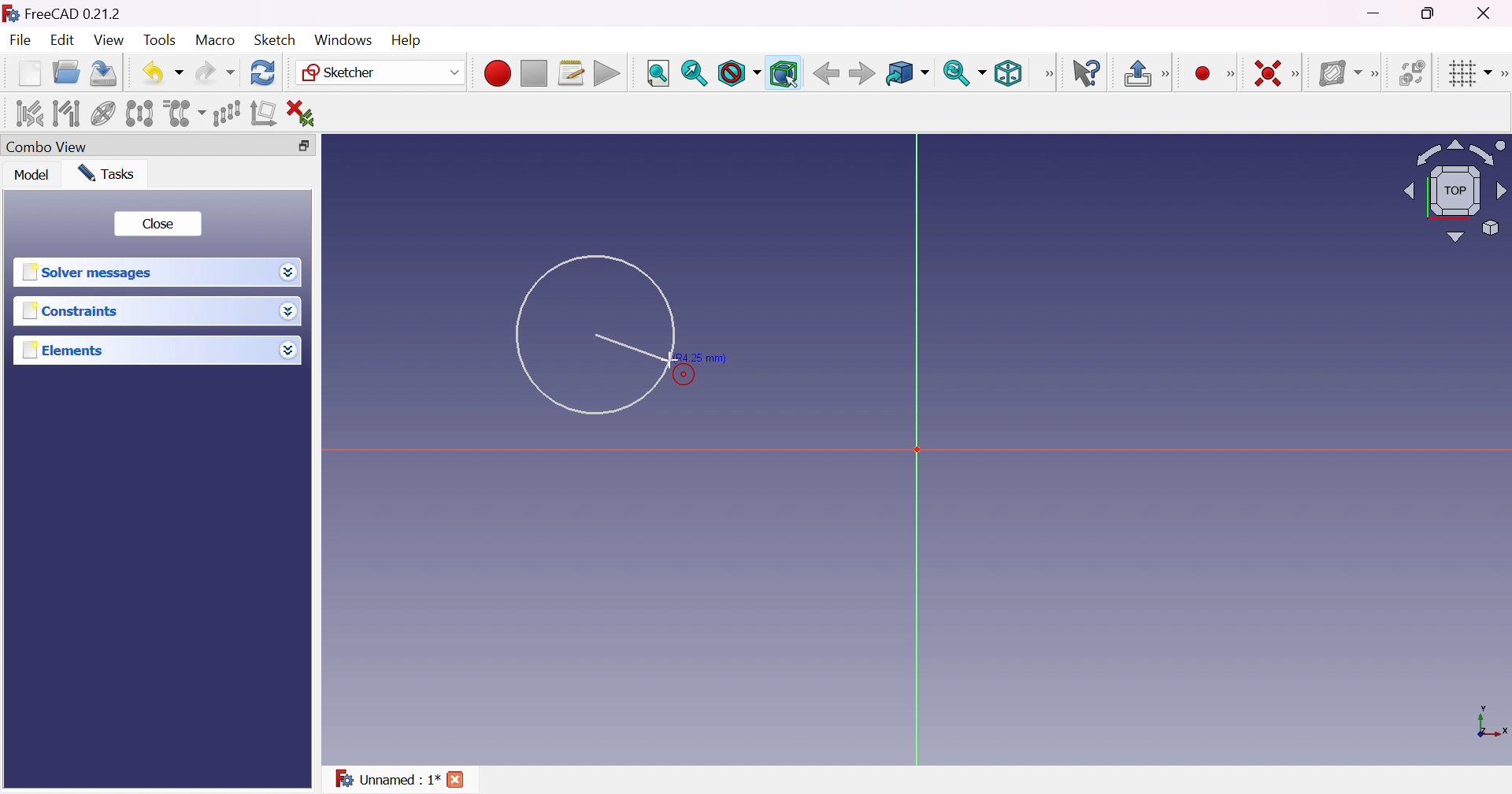 This screenshot has height=794, width=1512. Describe the element at coordinates (657, 72) in the screenshot. I see `Fit all` at that location.